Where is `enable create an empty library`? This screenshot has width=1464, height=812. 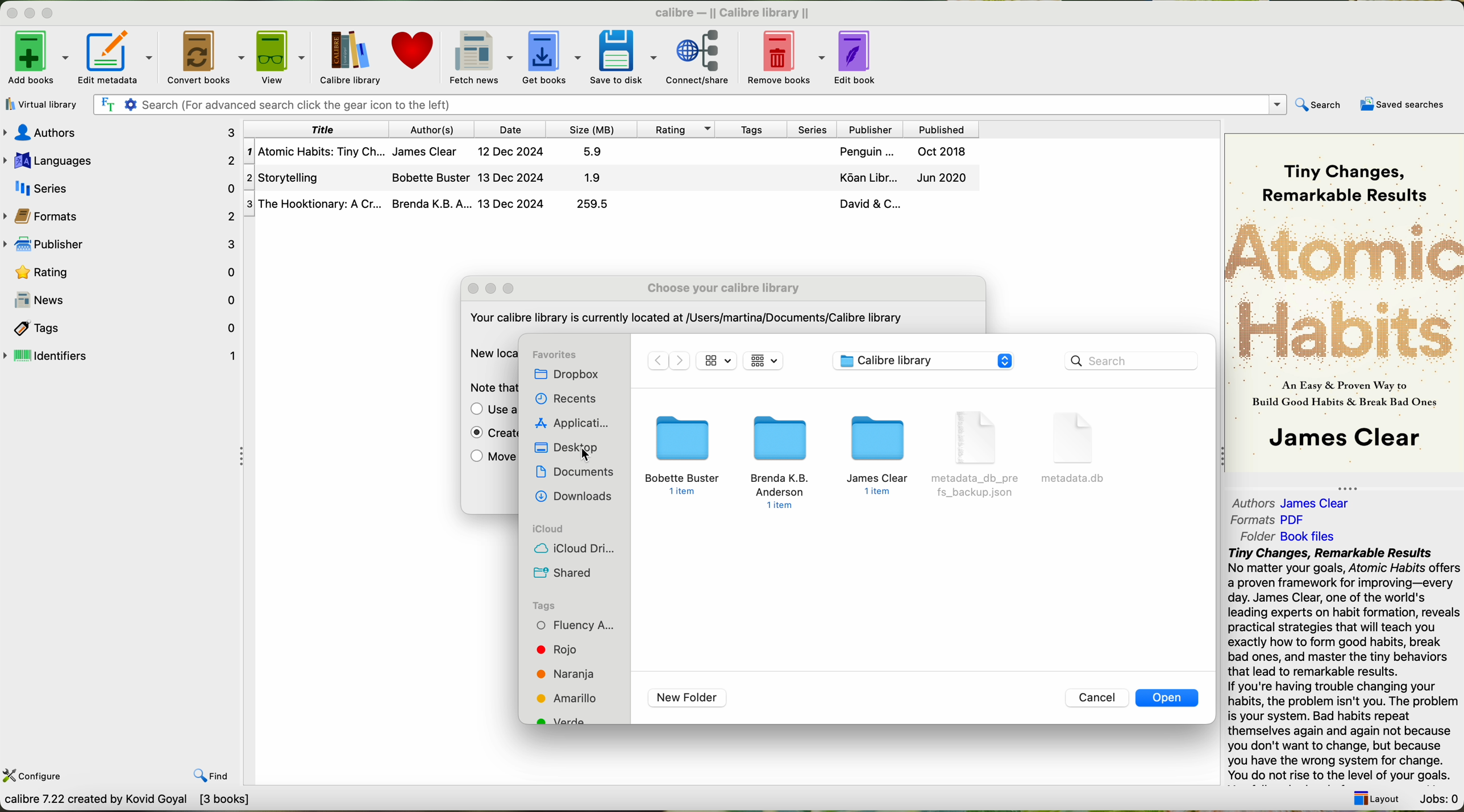 enable create an empty library is located at coordinates (489, 435).